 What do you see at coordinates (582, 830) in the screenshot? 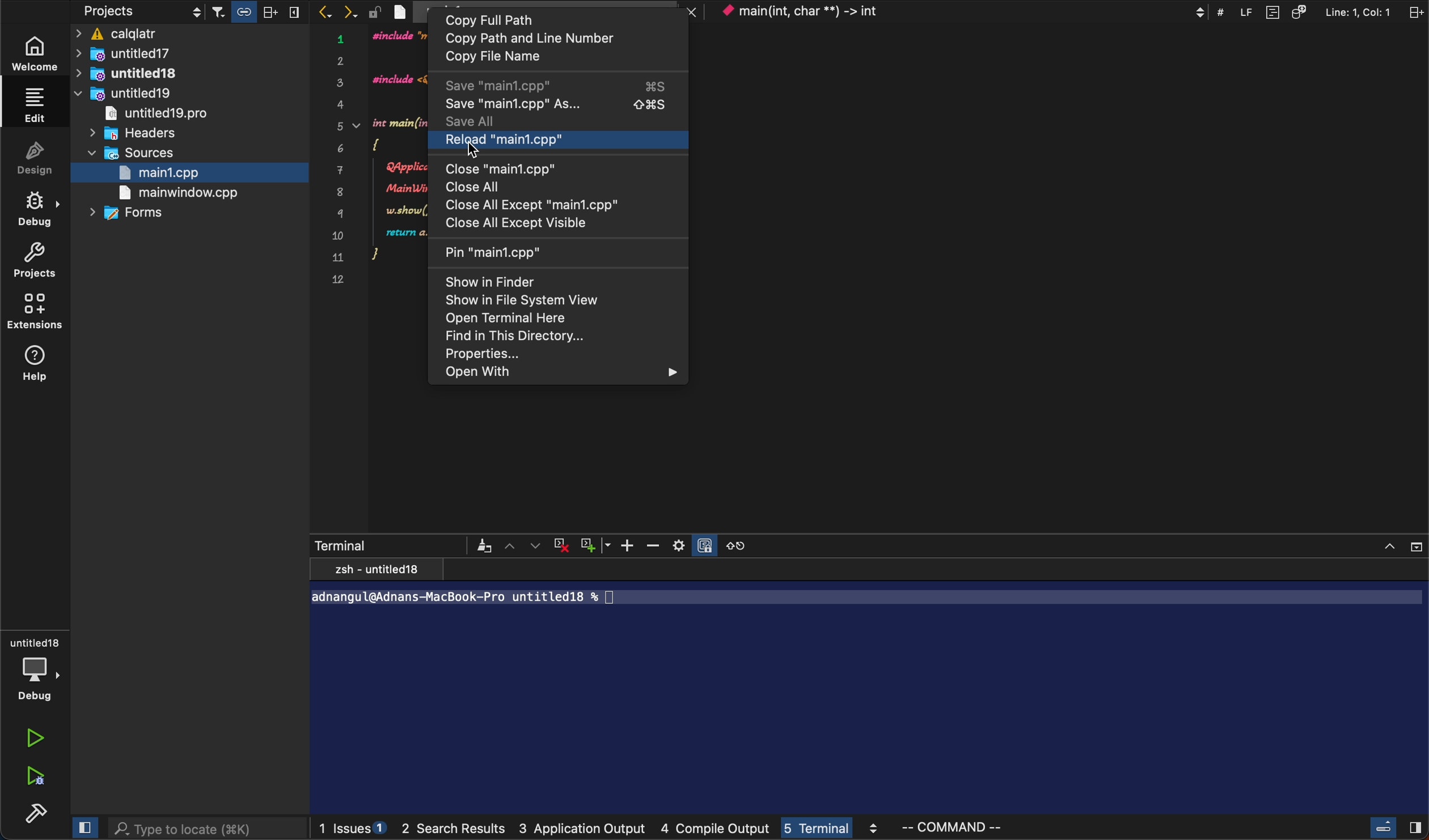
I see `application output` at bounding box center [582, 830].